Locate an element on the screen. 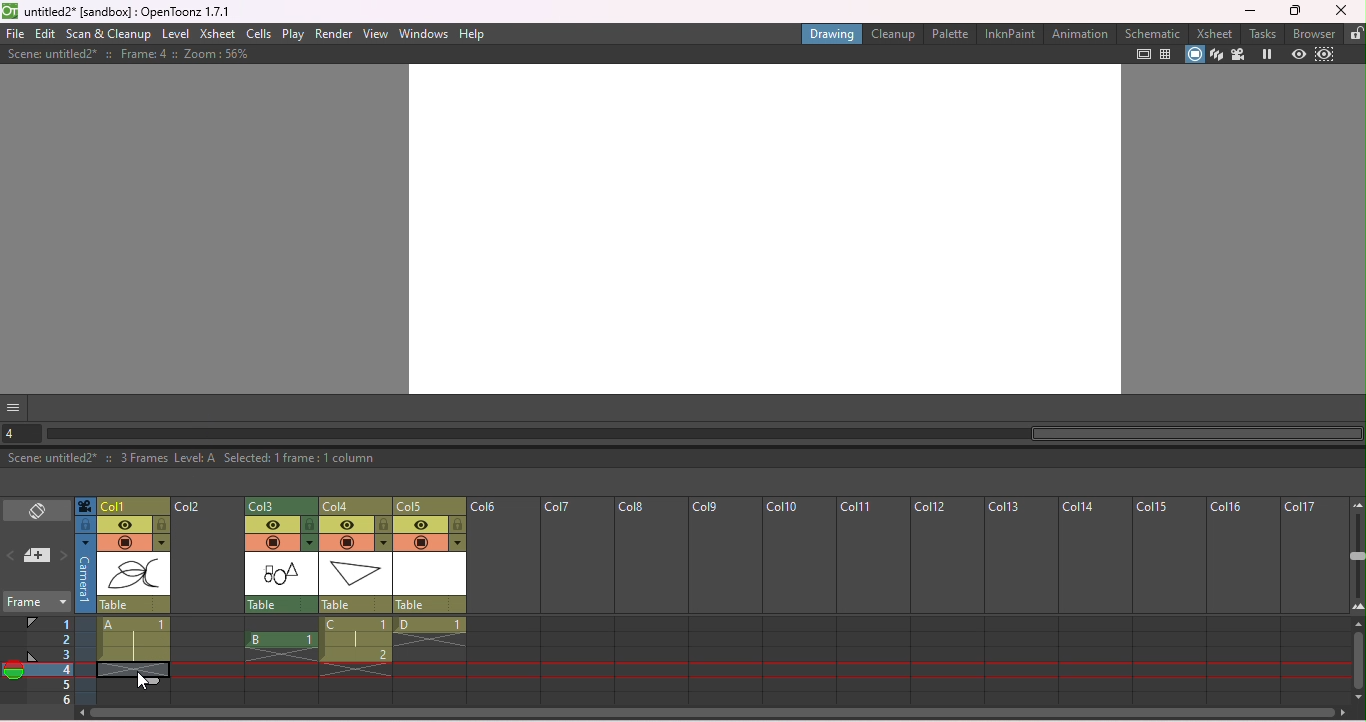  Column 15 is located at coordinates (1165, 601).